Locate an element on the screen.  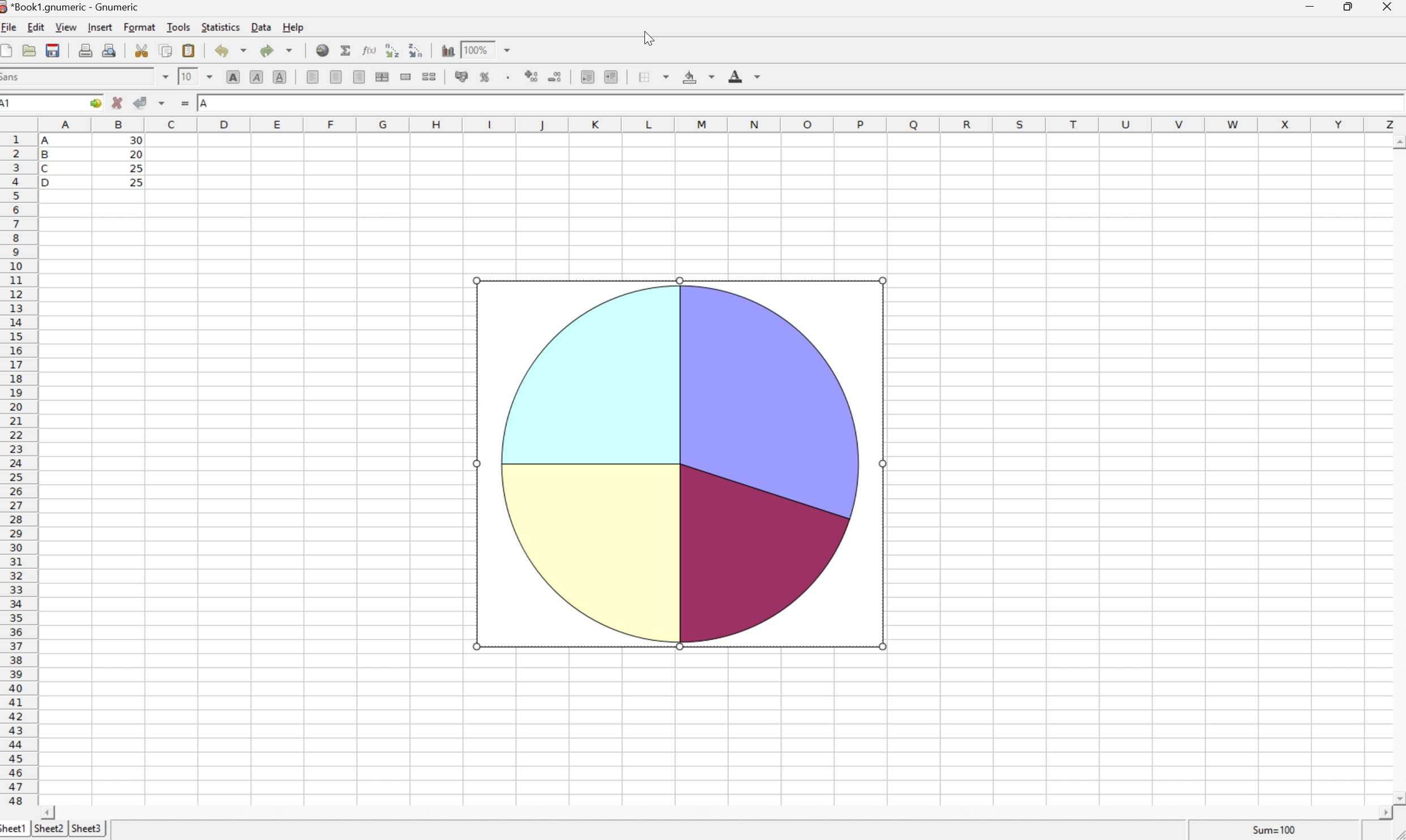
Insert is located at coordinates (102, 28).